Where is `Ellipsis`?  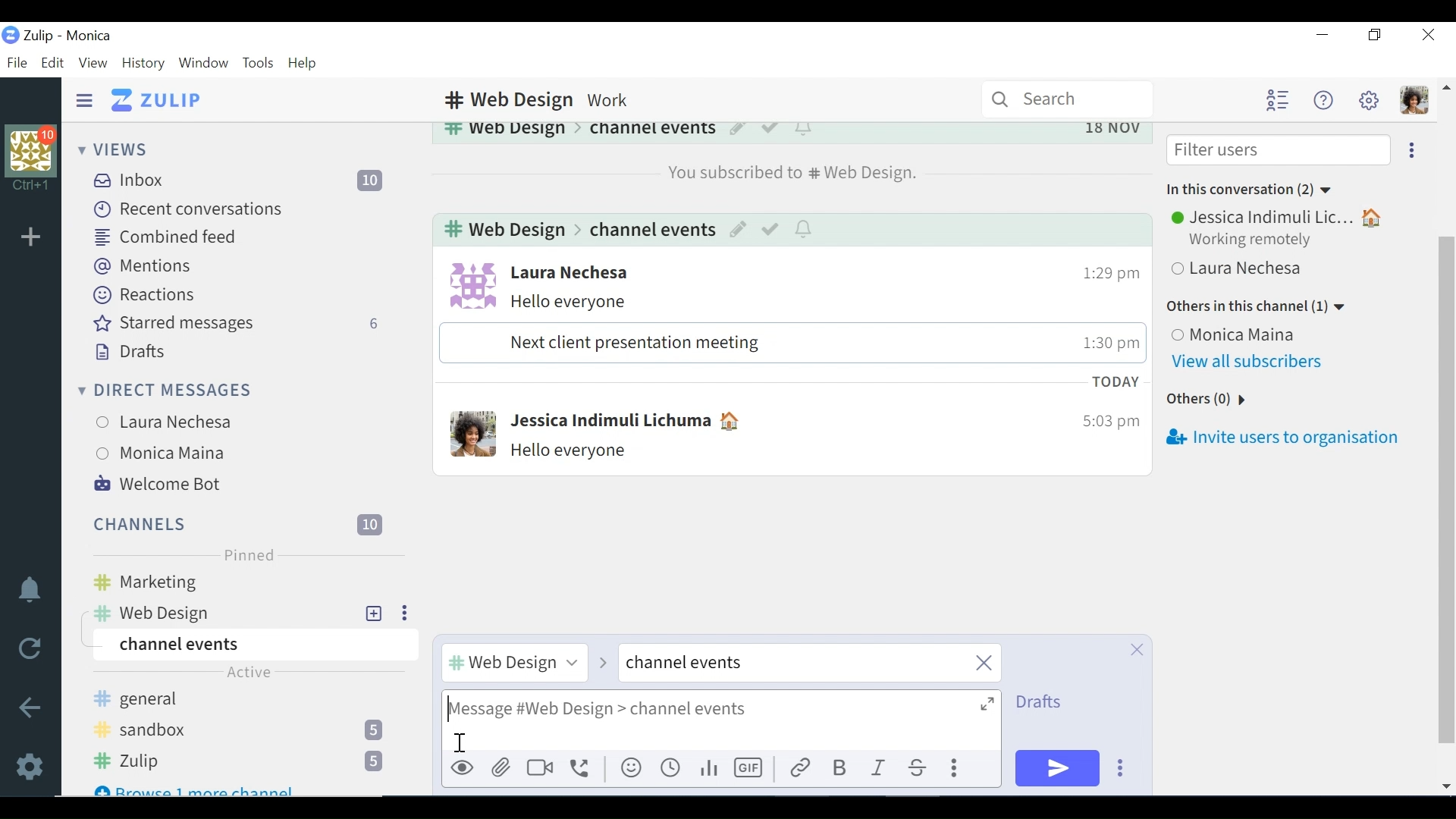
Ellipsis is located at coordinates (1408, 149).